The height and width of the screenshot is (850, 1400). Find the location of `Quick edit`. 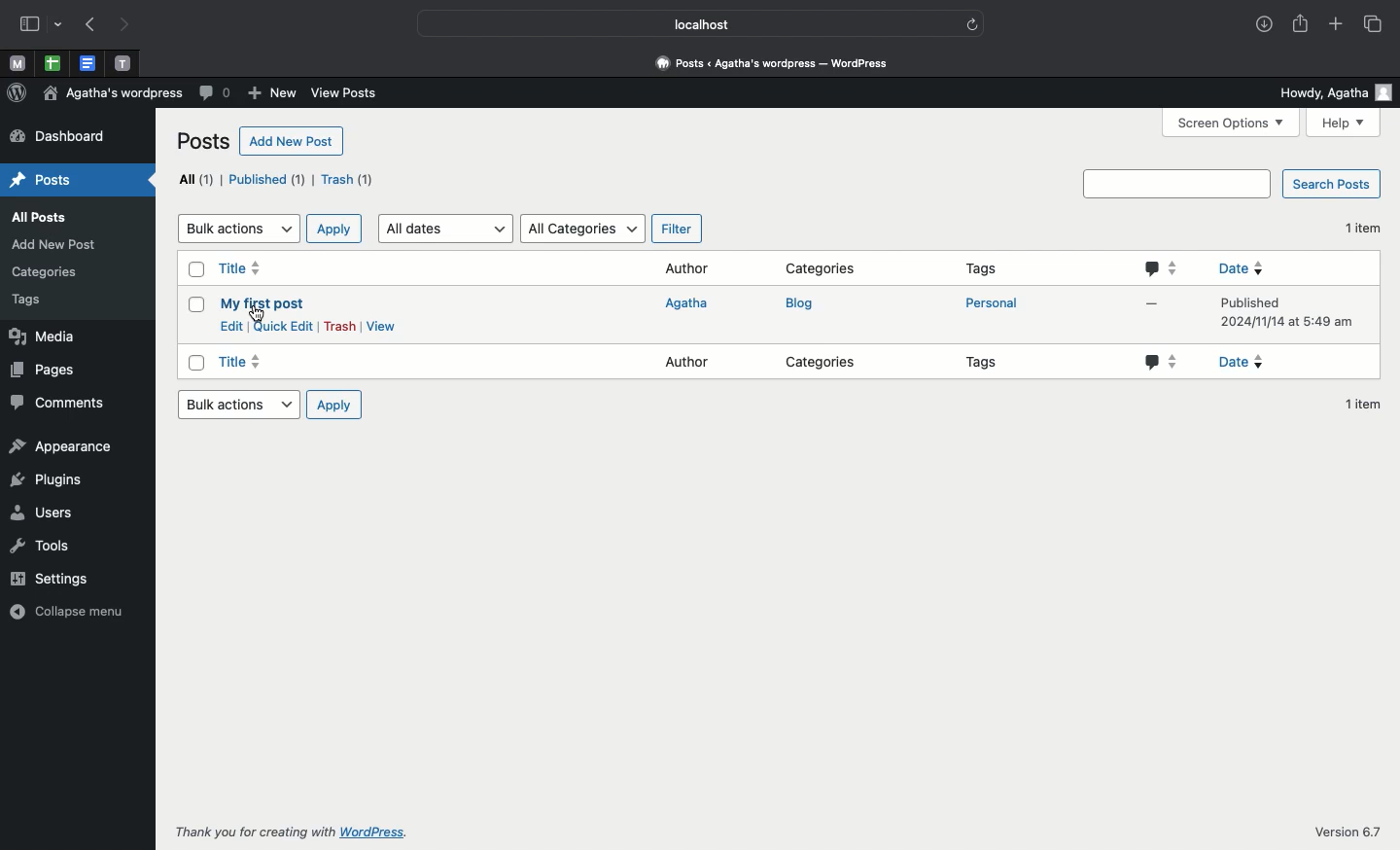

Quick edit is located at coordinates (282, 326).